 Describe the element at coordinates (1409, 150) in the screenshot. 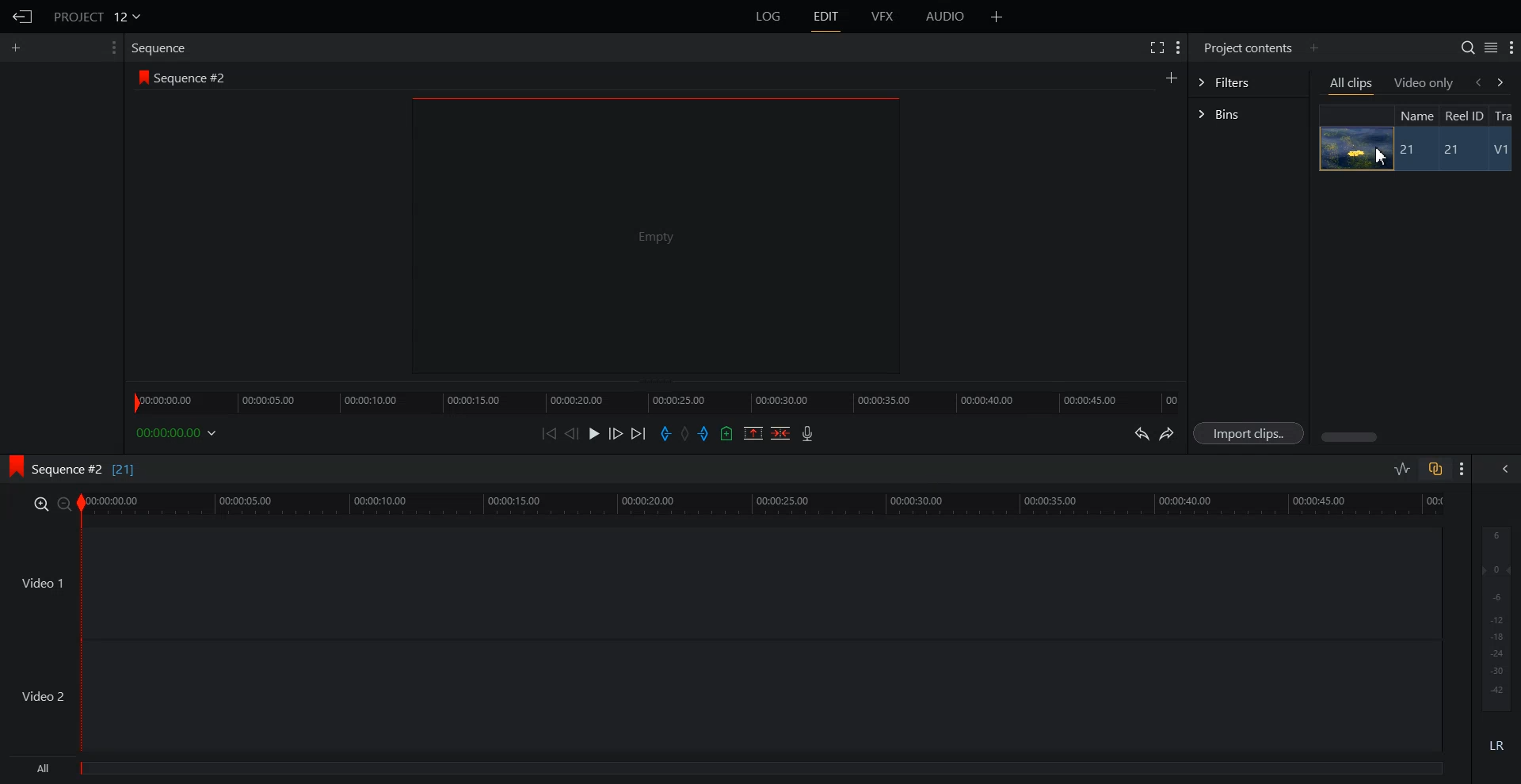

I see `21` at that location.